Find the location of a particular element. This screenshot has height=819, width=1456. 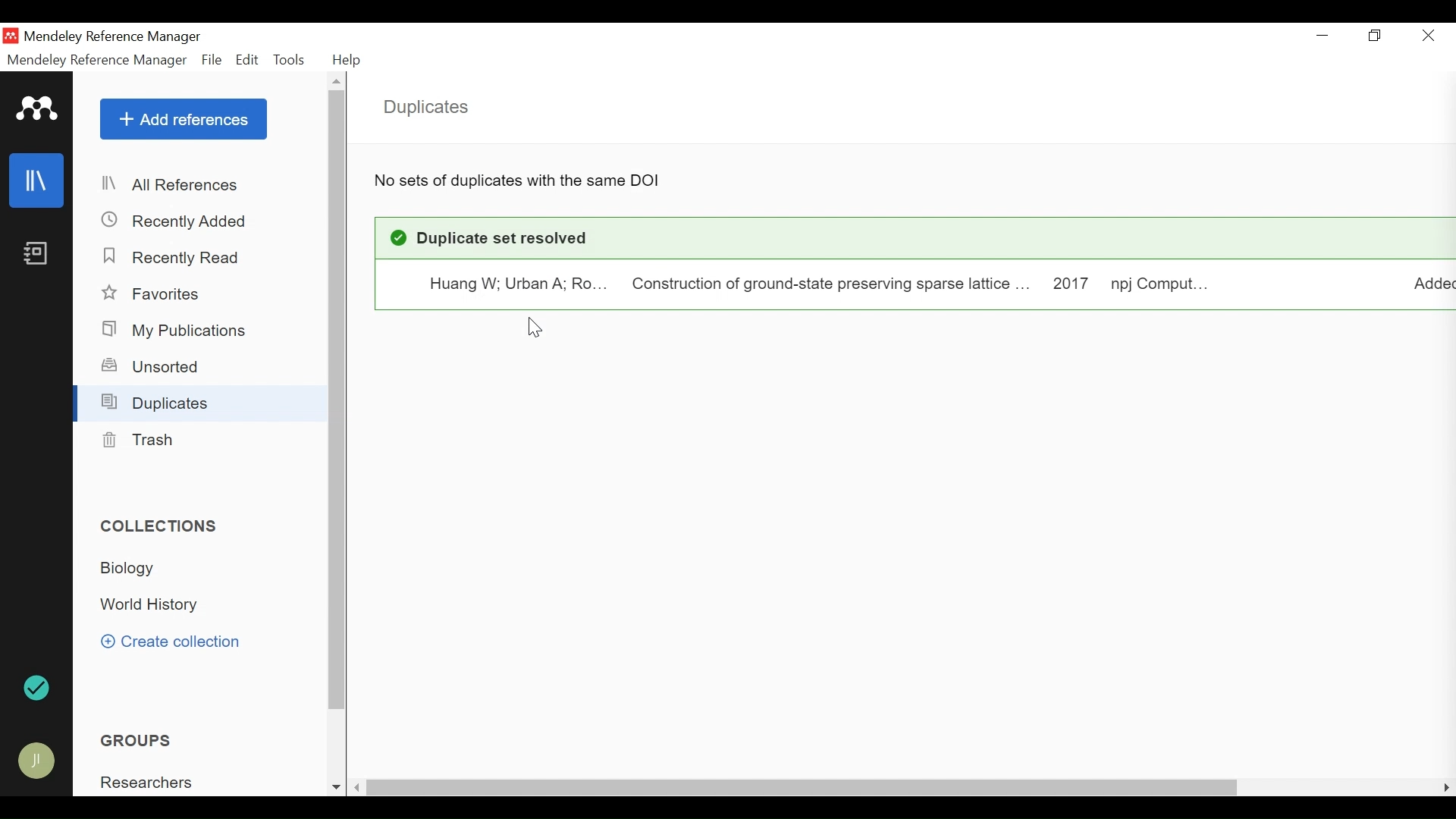

minimize is located at coordinates (1323, 36).